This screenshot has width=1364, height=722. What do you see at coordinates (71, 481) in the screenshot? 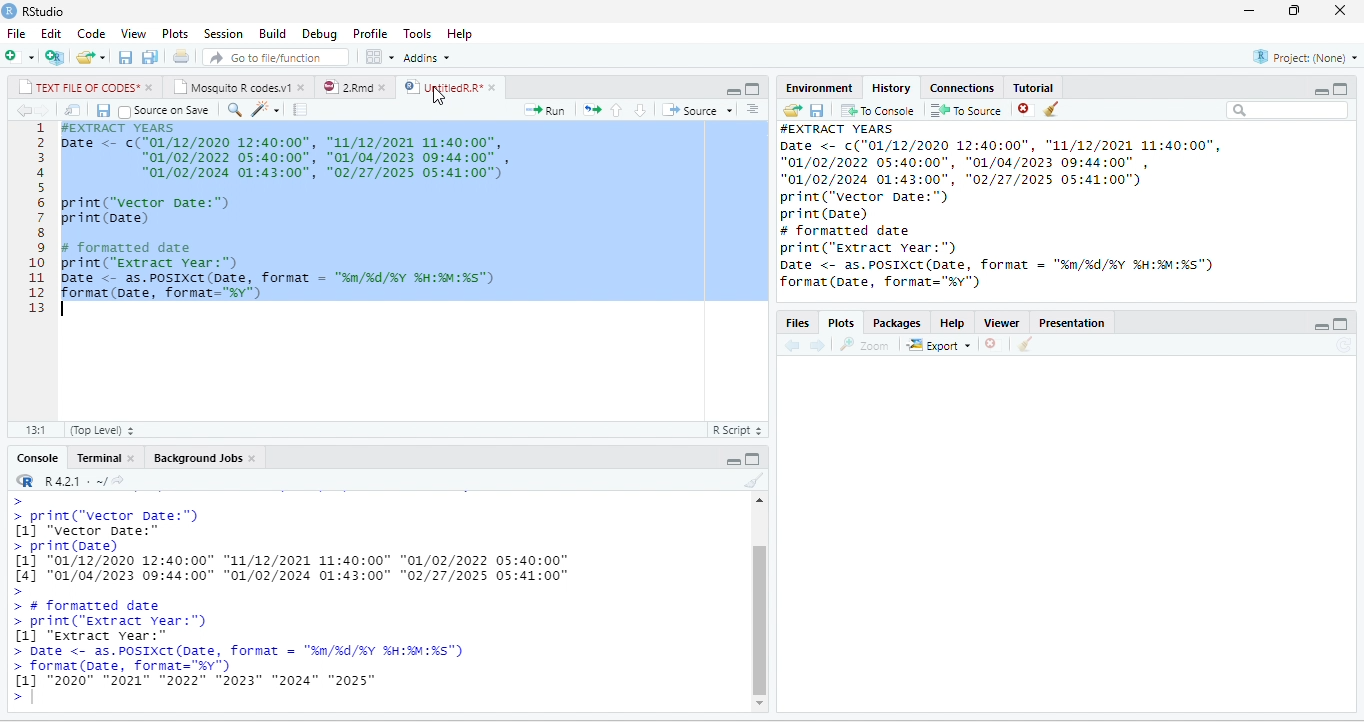
I see `R 4.2.1 .~/` at bounding box center [71, 481].